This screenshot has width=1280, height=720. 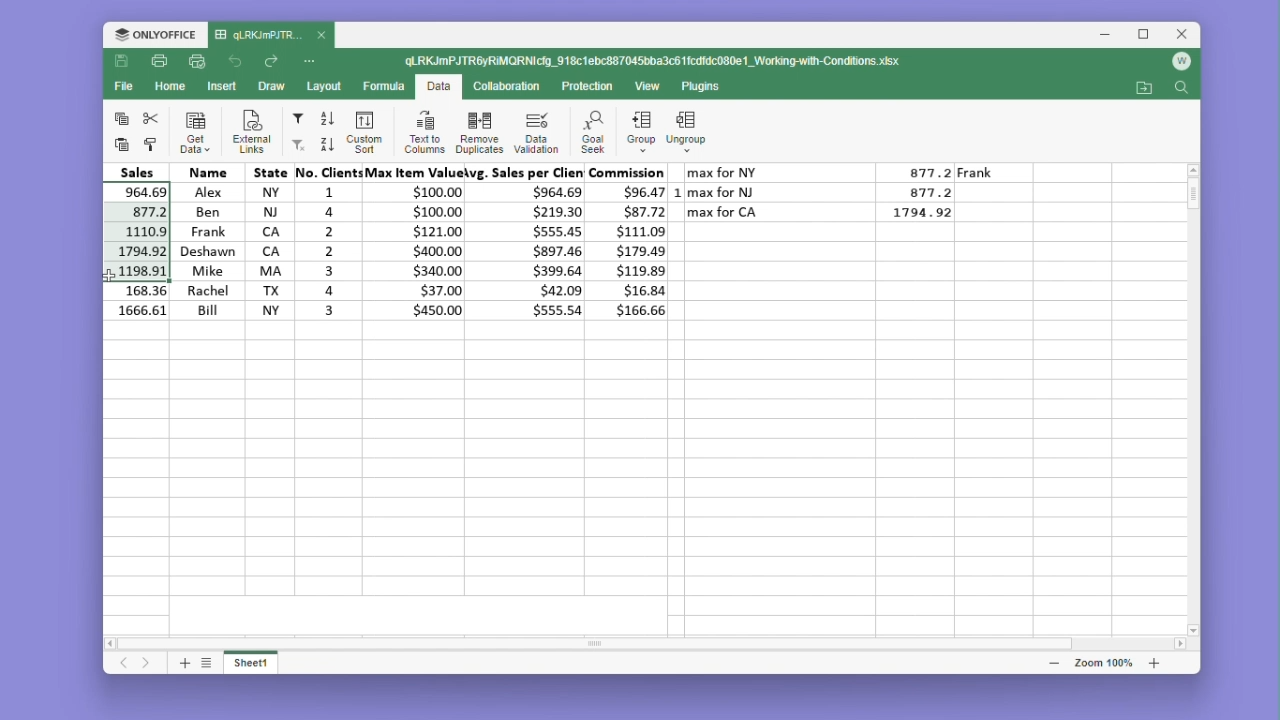 What do you see at coordinates (438, 88) in the screenshot?
I see `Data` at bounding box center [438, 88].